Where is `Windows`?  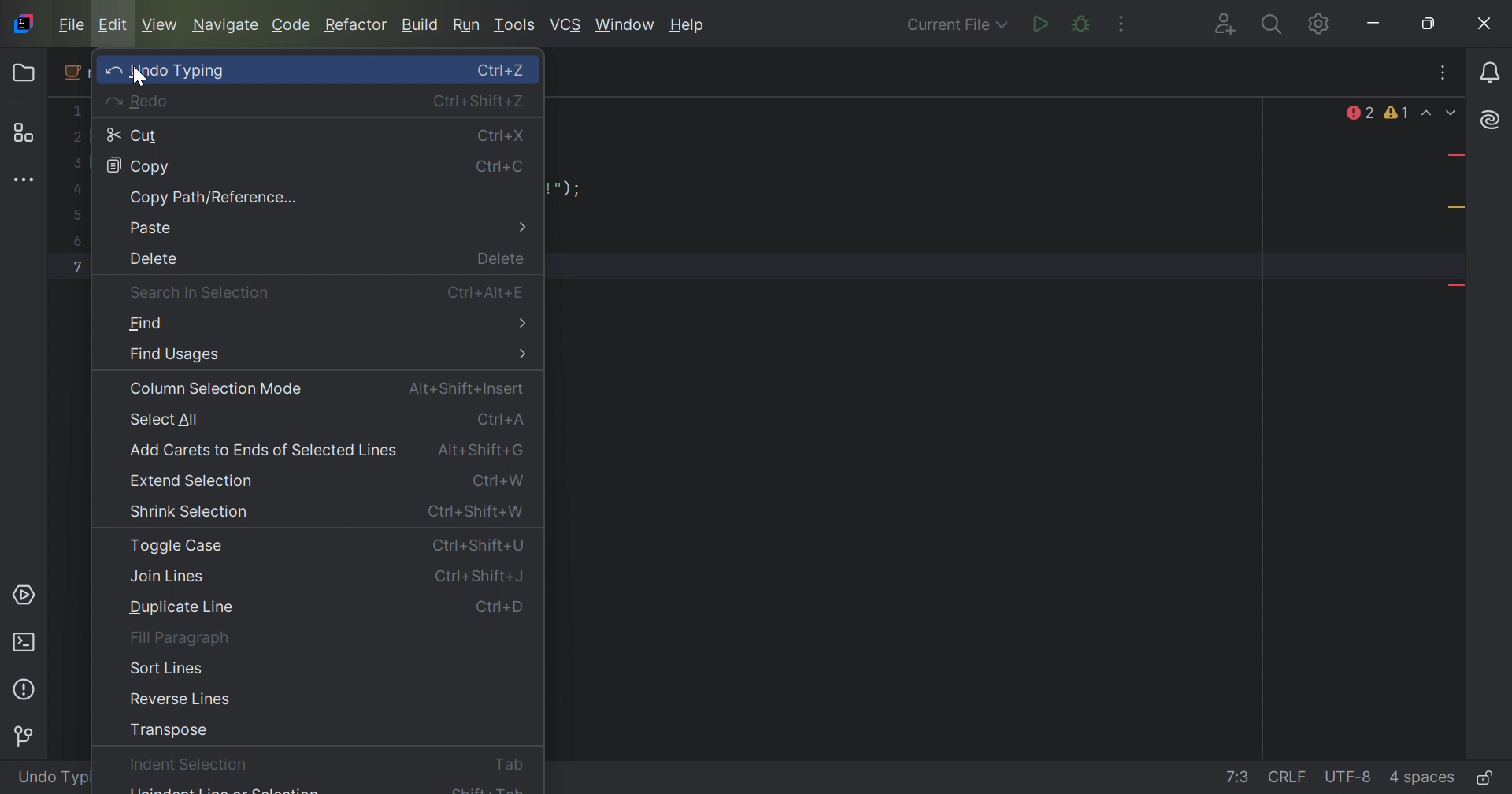
Windows is located at coordinates (624, 25).